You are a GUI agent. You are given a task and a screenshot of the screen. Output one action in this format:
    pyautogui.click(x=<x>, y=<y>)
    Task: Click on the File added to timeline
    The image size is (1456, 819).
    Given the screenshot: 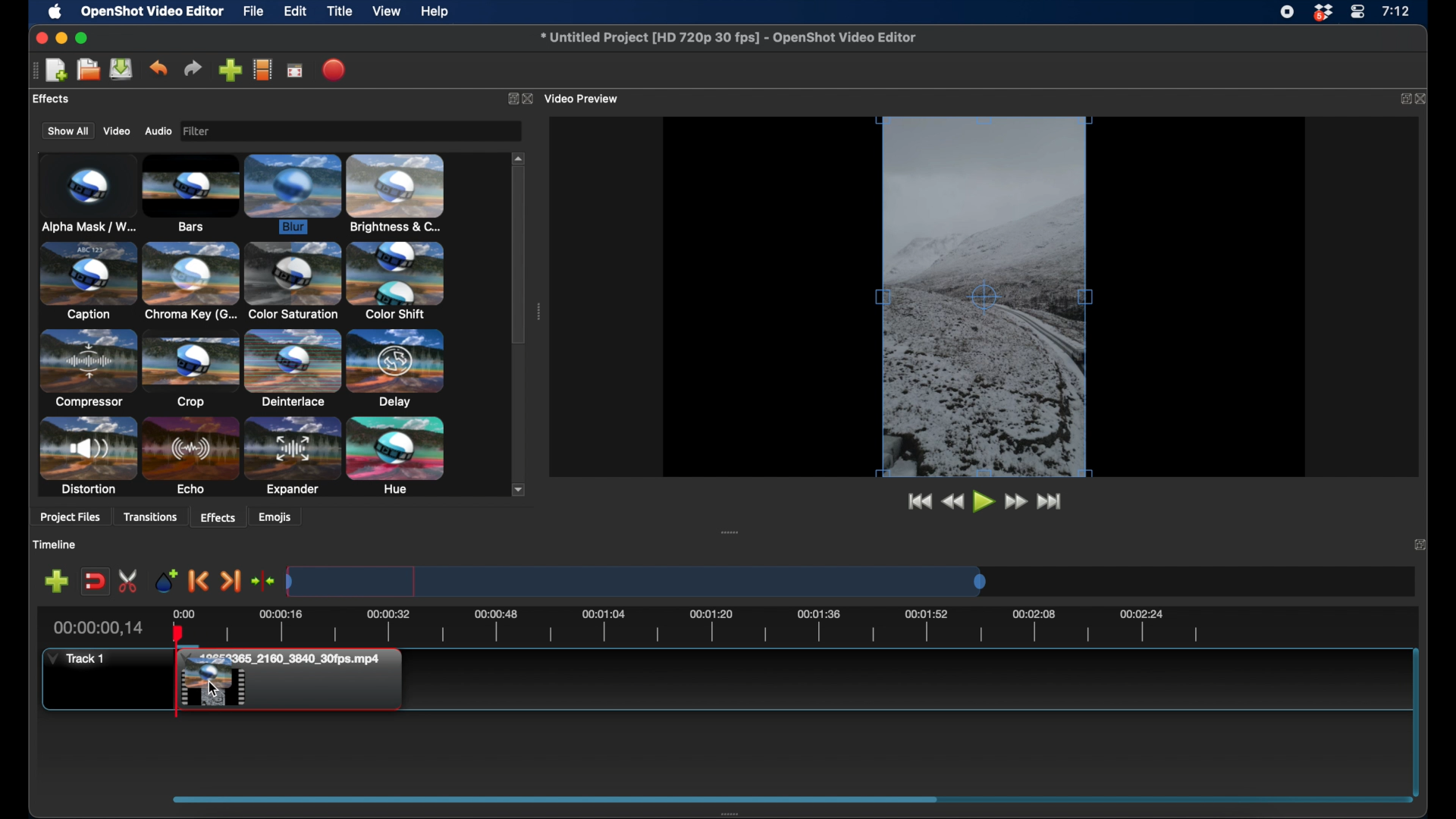 What is the action you would take?
    pyautogui.click(x=294, y=681)
    